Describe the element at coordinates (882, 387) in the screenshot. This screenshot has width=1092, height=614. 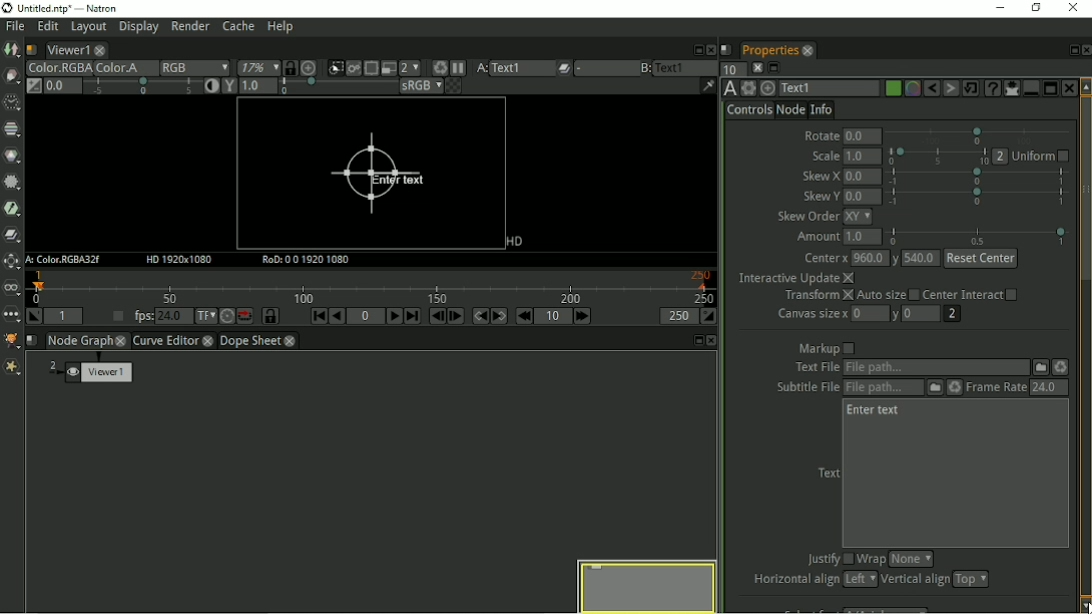
I see `Subtitle File` at that location.